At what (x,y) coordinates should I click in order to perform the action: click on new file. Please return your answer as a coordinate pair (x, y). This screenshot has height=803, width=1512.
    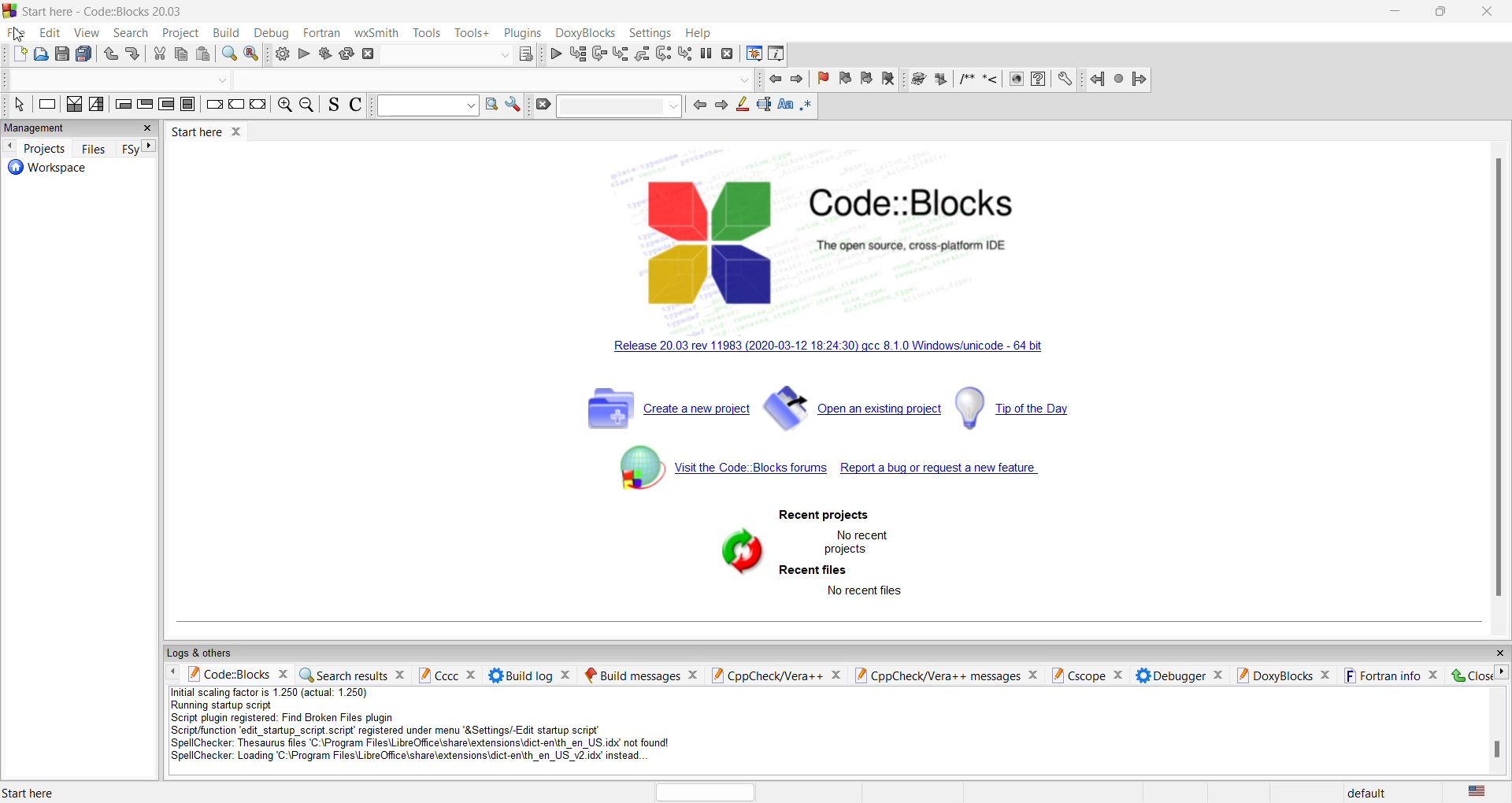
    Looking at the image, I should click on (20, 54).